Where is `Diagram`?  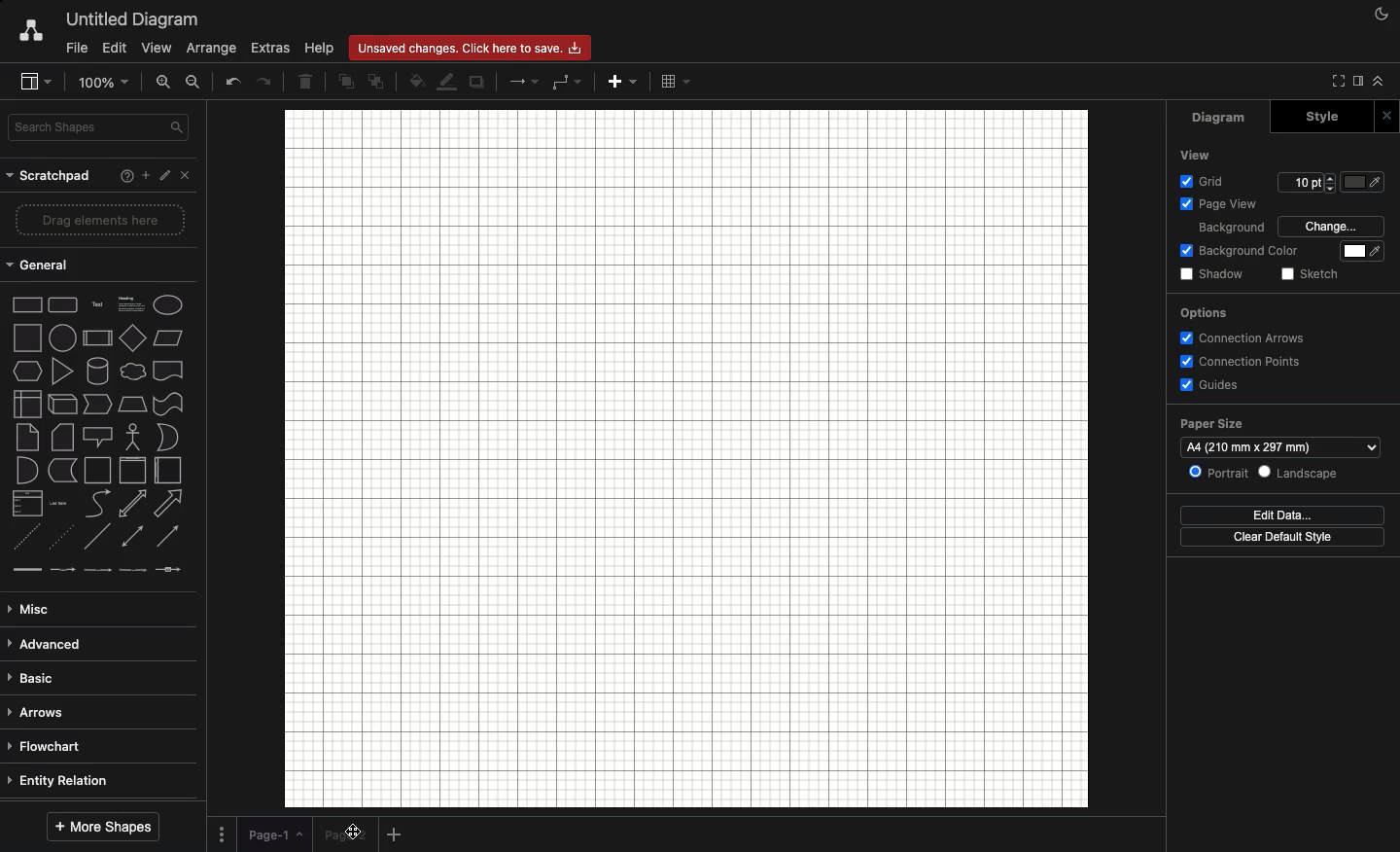 Diagram is located at coordinates (1220, 120).